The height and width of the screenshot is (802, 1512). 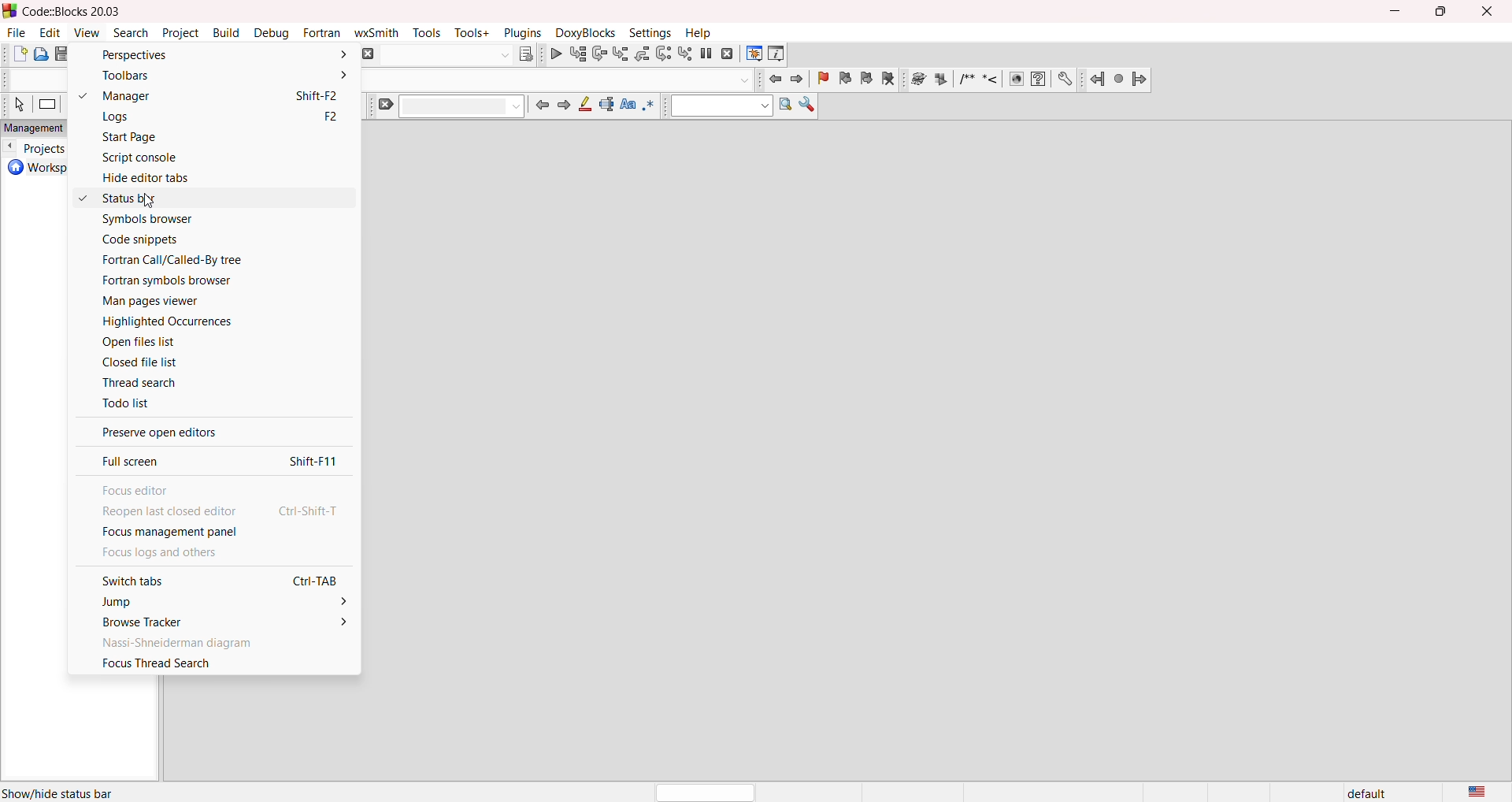 I want to click on closed file list, so click(x=213, y=361).